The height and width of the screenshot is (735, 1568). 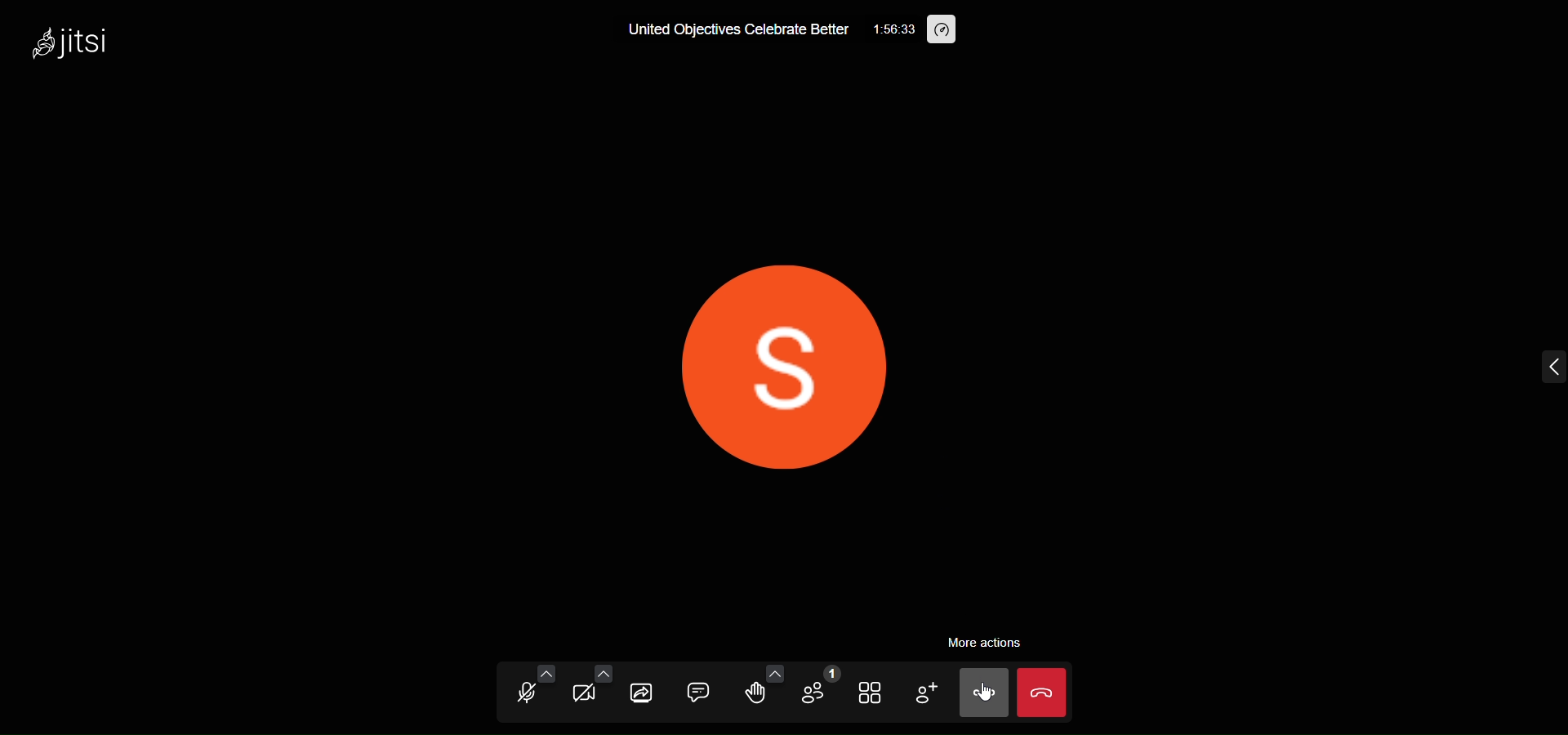 What do you see at coordinates (774, 672) in the screenshot?
I see `more emoji` at bounding box center [774, 672].